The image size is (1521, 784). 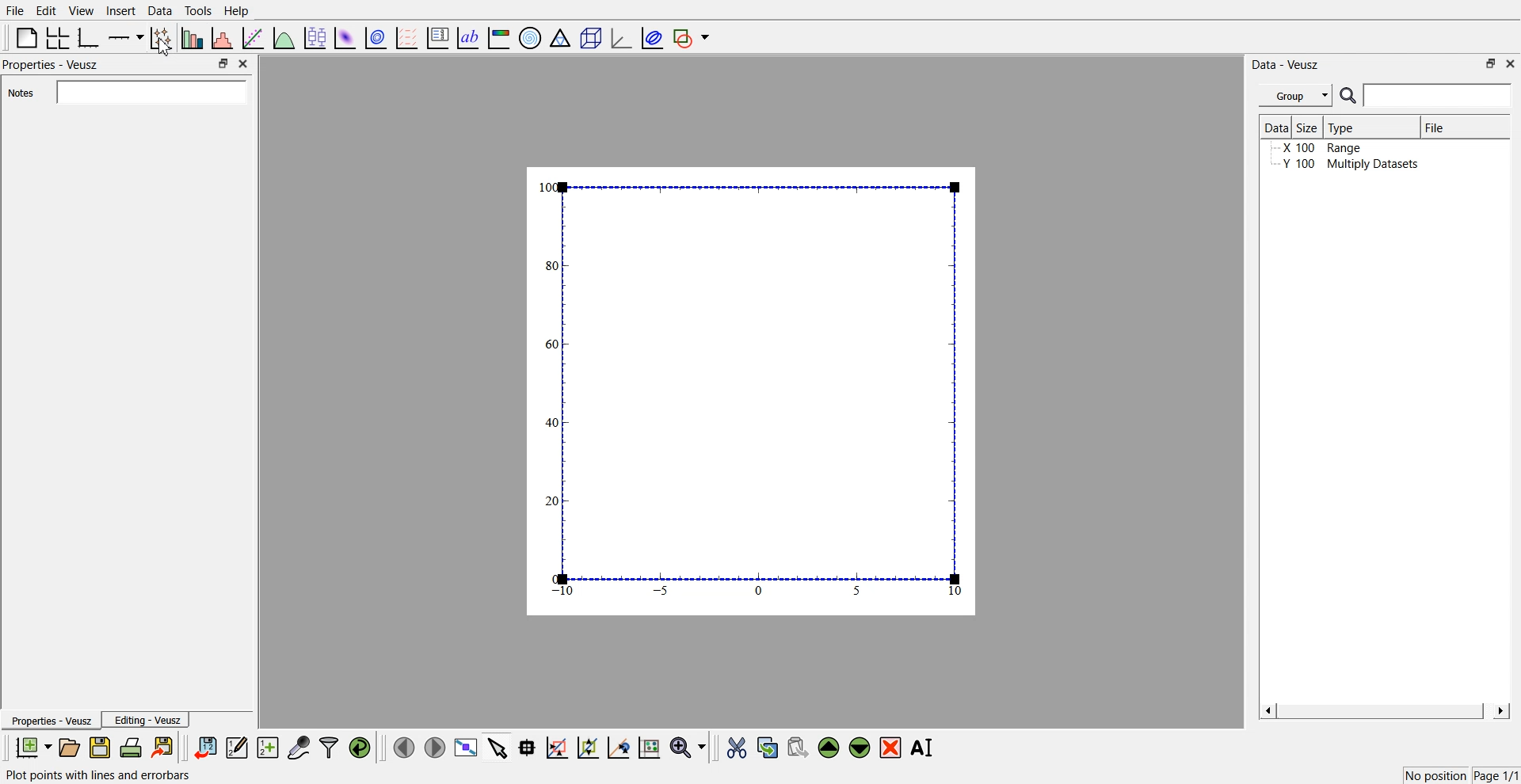 What do you see at coordinates (284, 36) in the screenshot?
I see `plot a function on a graph` at bounding box center [284, 36].